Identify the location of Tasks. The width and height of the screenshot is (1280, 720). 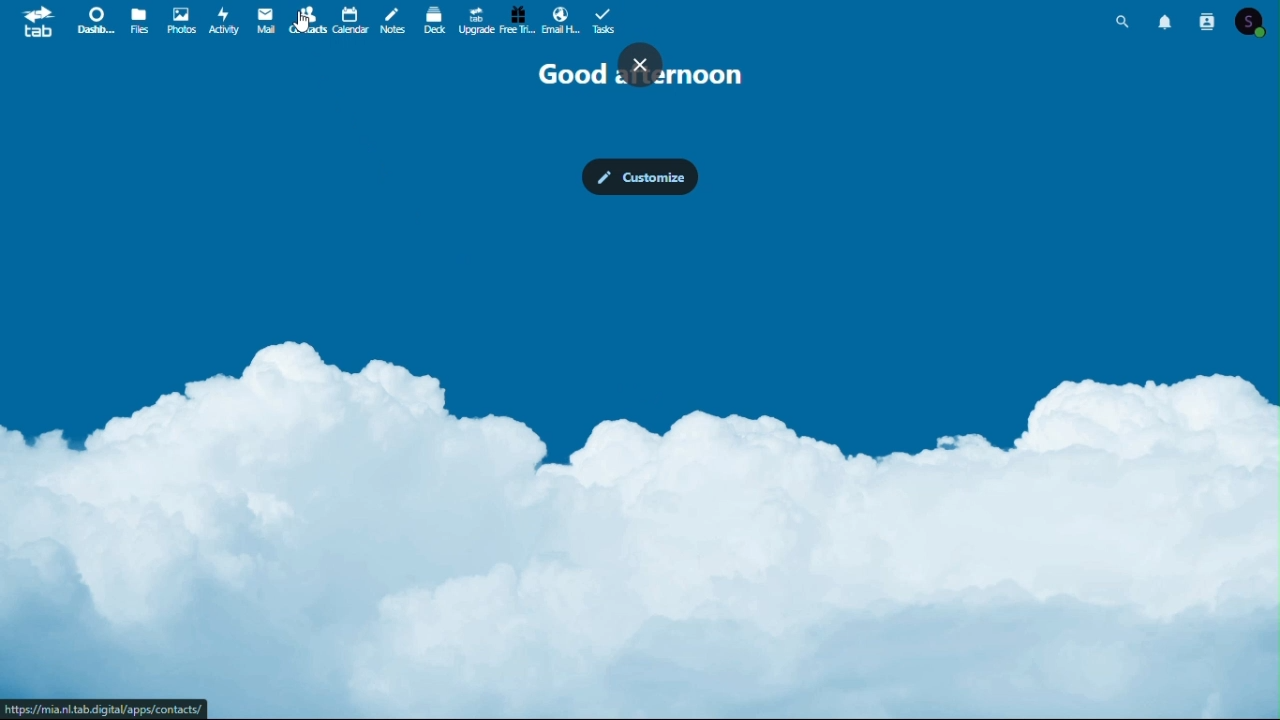
(605, 20).